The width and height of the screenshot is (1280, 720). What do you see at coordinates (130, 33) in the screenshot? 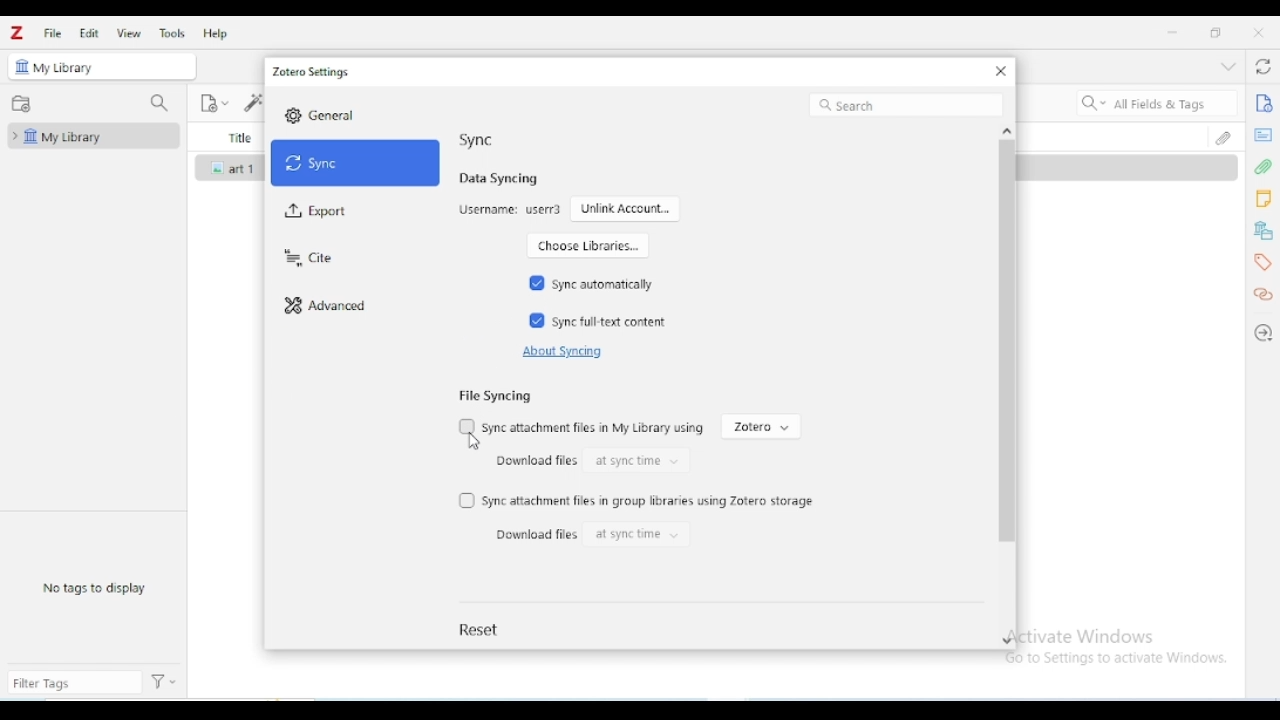
I see `view` at bounding box center [130, 33].